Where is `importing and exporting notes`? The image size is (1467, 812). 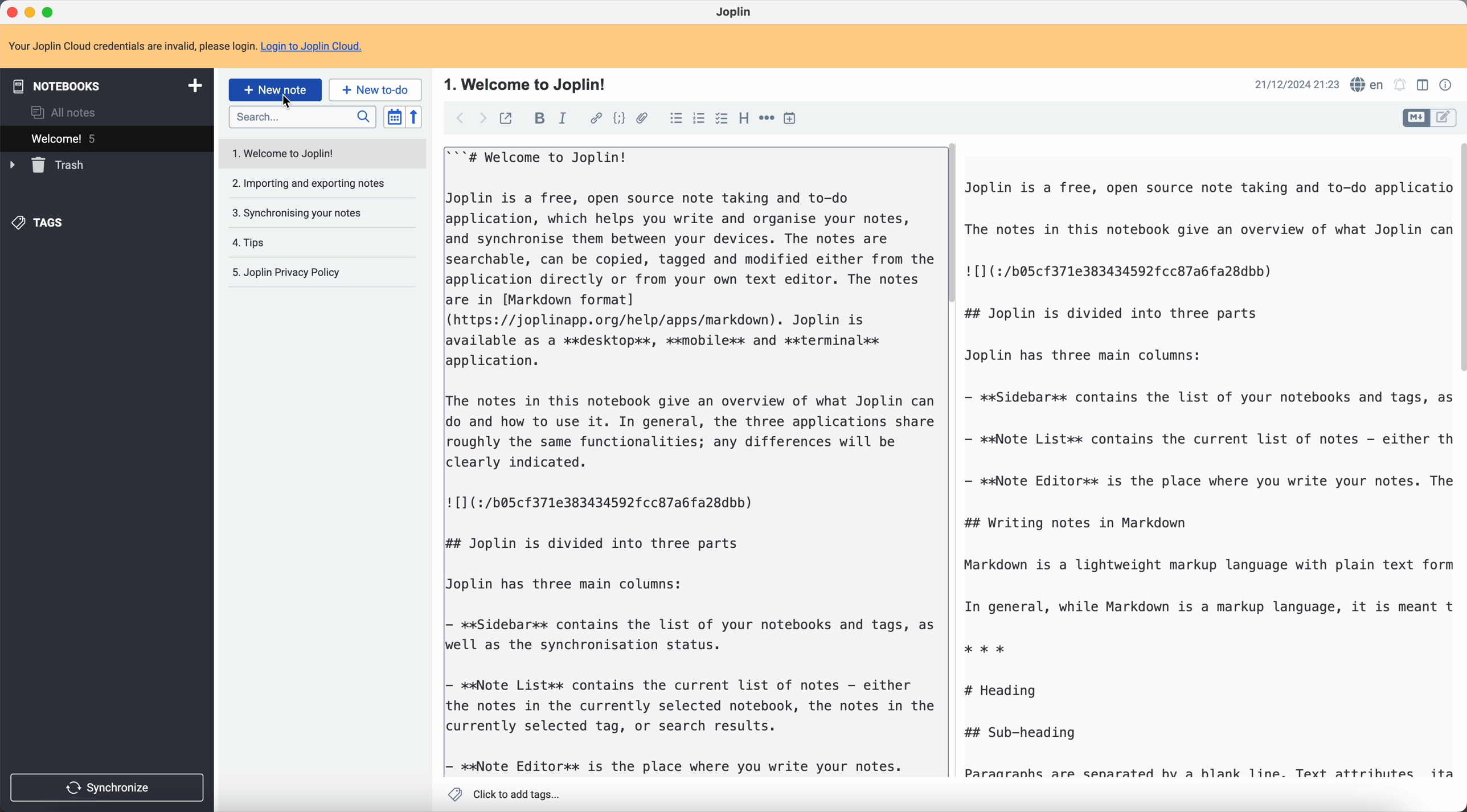
importing and exporting notes is located at coordinates (310, 184).